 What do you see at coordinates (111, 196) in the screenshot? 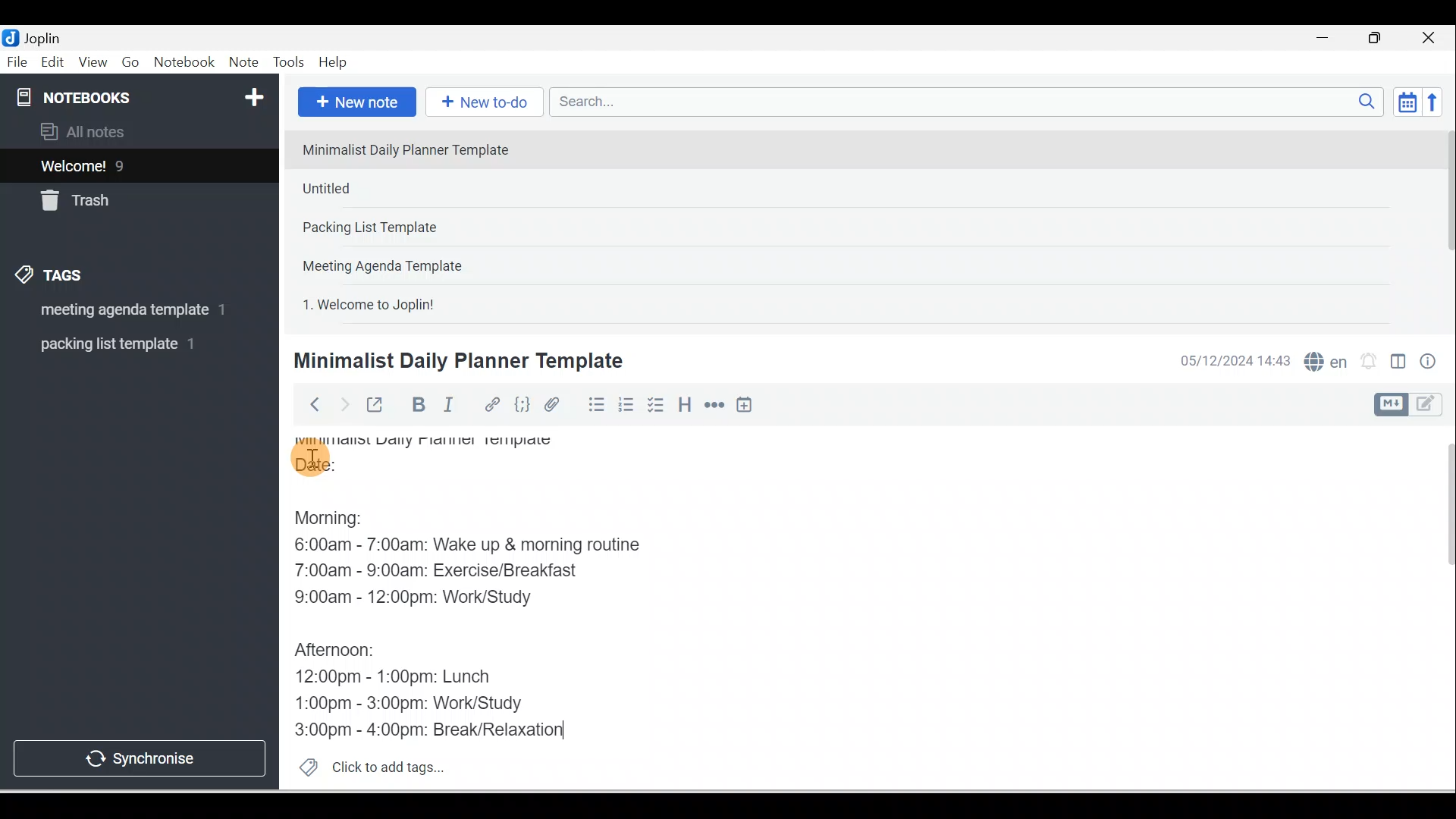
I see `Trash` at bounding box center [111, 196].